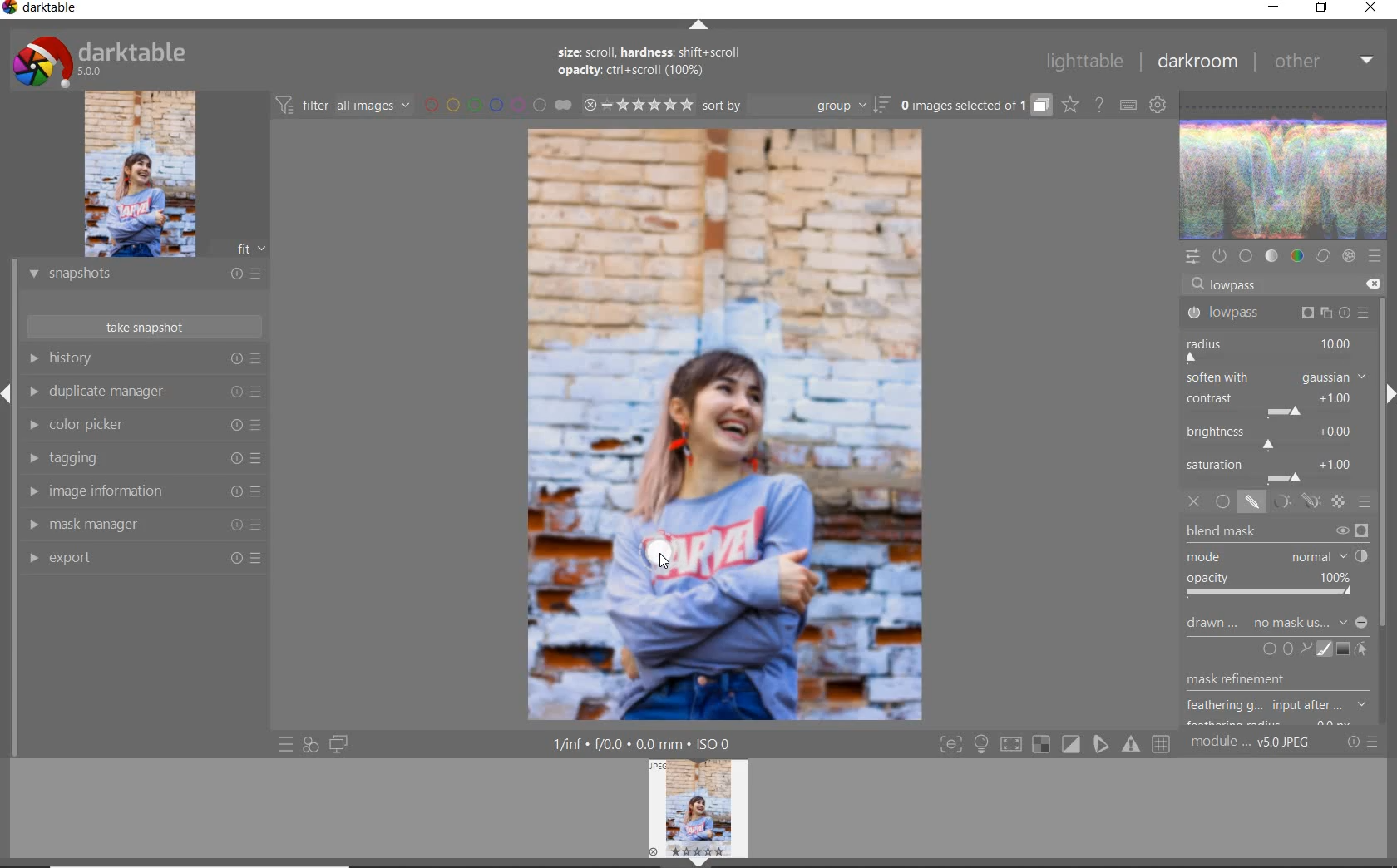 The height and width of the screenshot is (868, 1397). What do you see at coordinates (975, 106) in the screenshot?
I see `grouped images` at bounding box center [975, 106].